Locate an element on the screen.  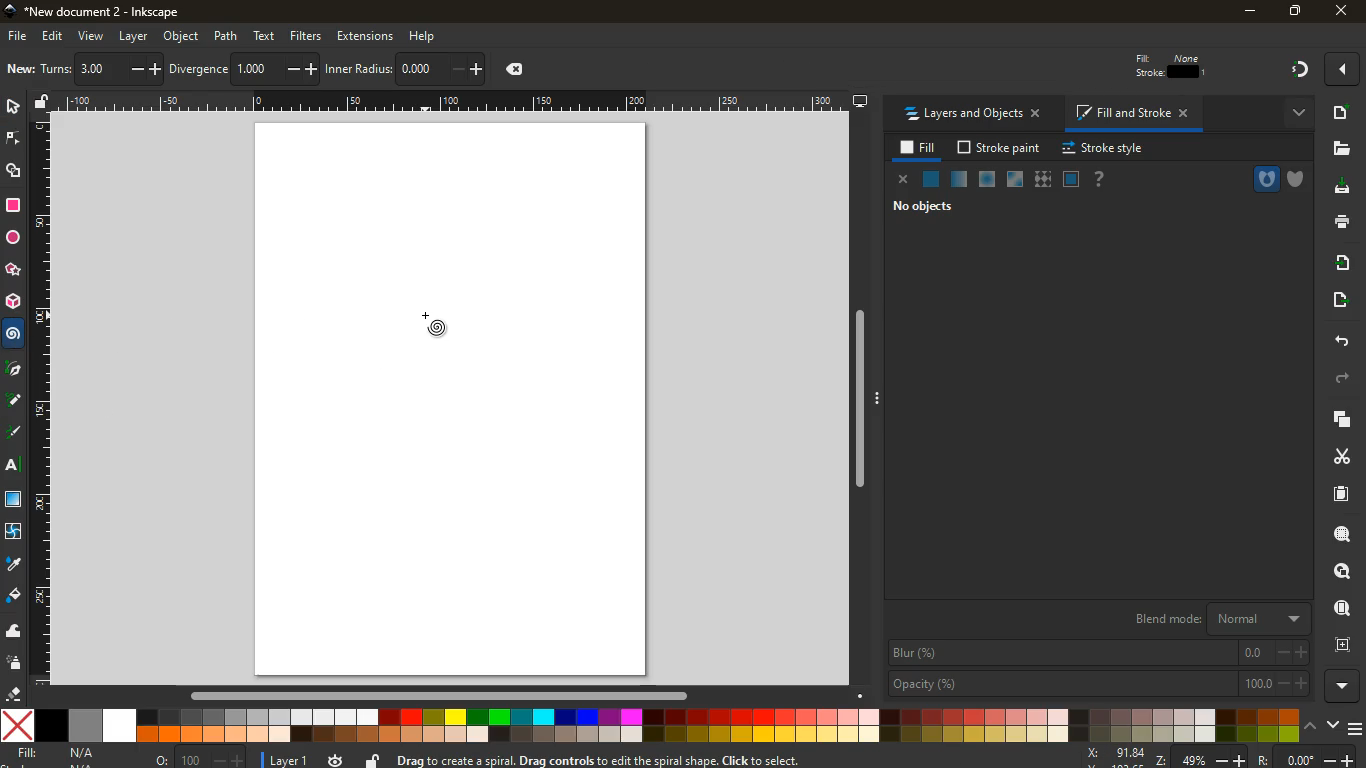
screen is located at coordinates (1072, 180).